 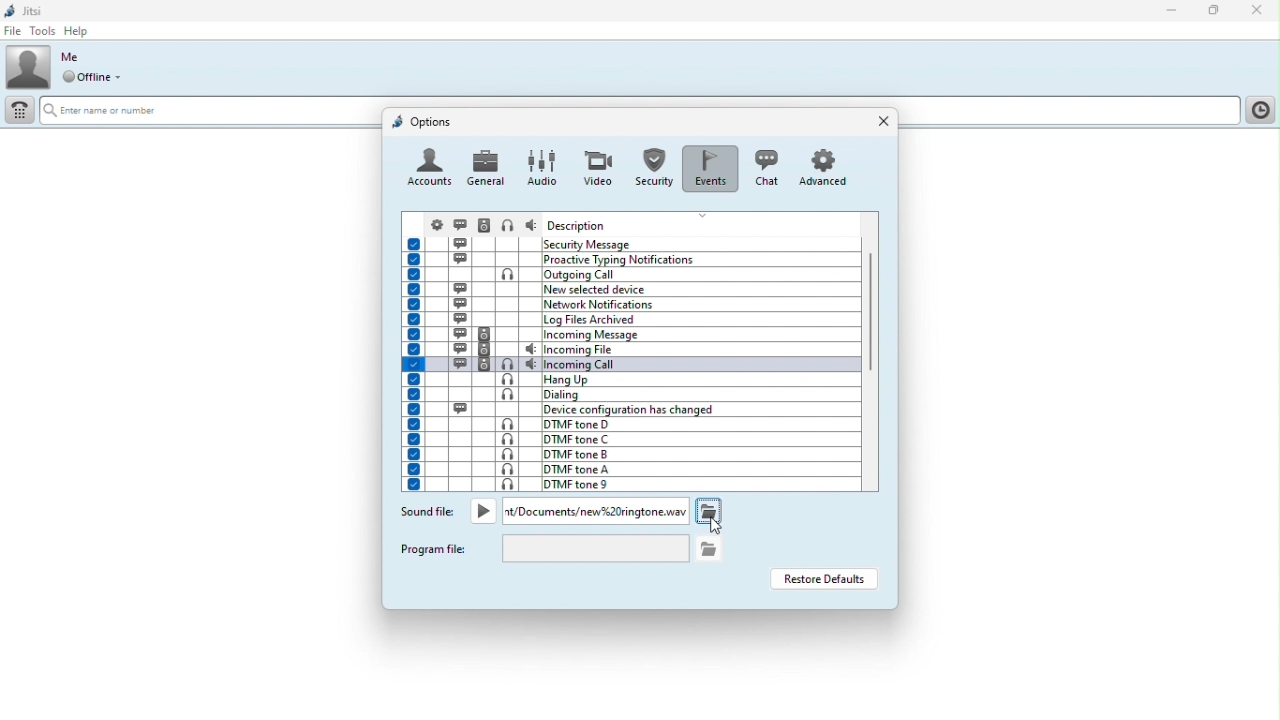 I want to click on incoming files , so click(x=630, y=350).